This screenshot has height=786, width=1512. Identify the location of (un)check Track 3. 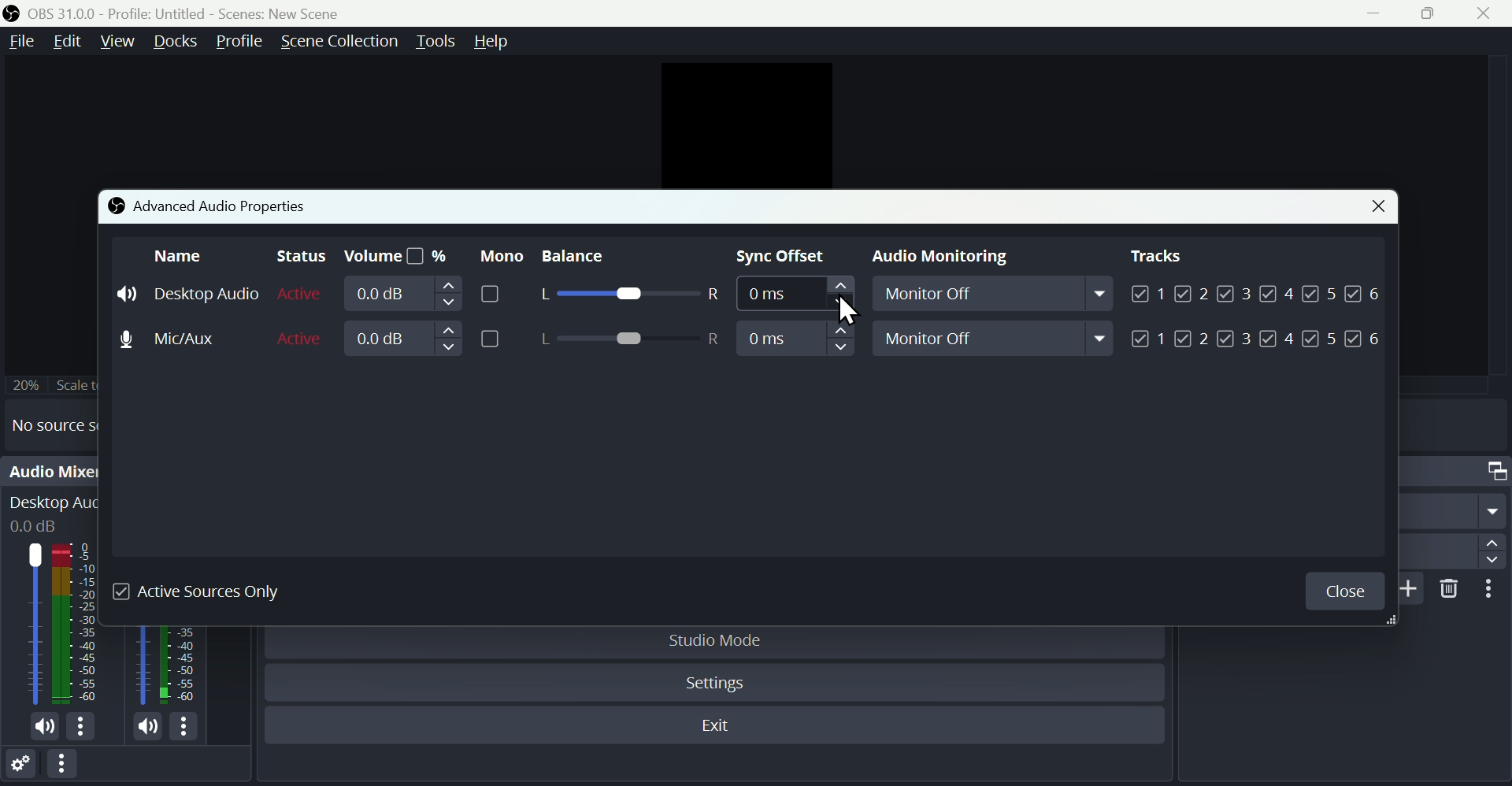
(1235, 292).